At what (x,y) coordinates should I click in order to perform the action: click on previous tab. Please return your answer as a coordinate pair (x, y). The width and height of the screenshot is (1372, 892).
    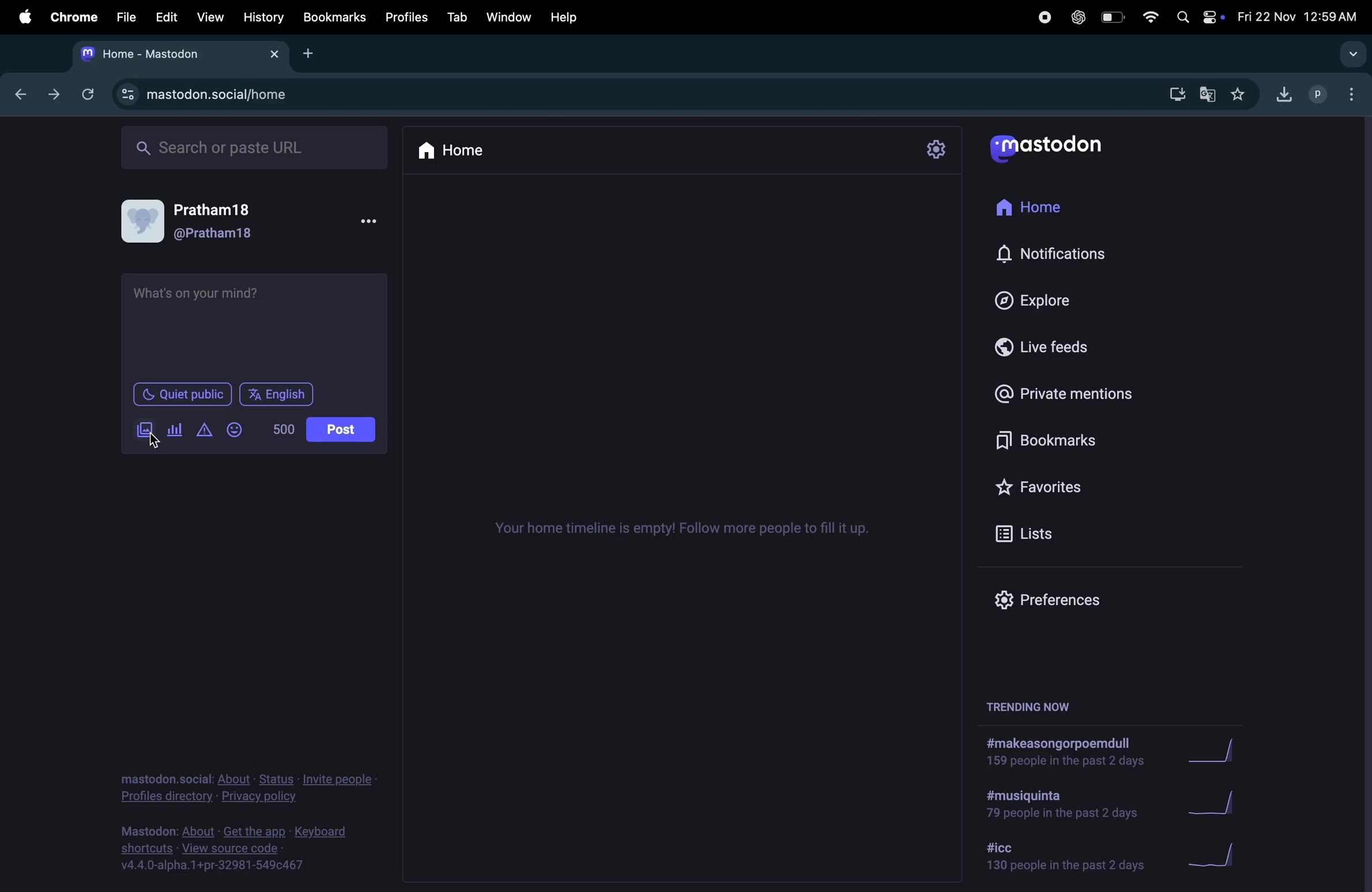
    Looking at the image, I should click on (22, 96).